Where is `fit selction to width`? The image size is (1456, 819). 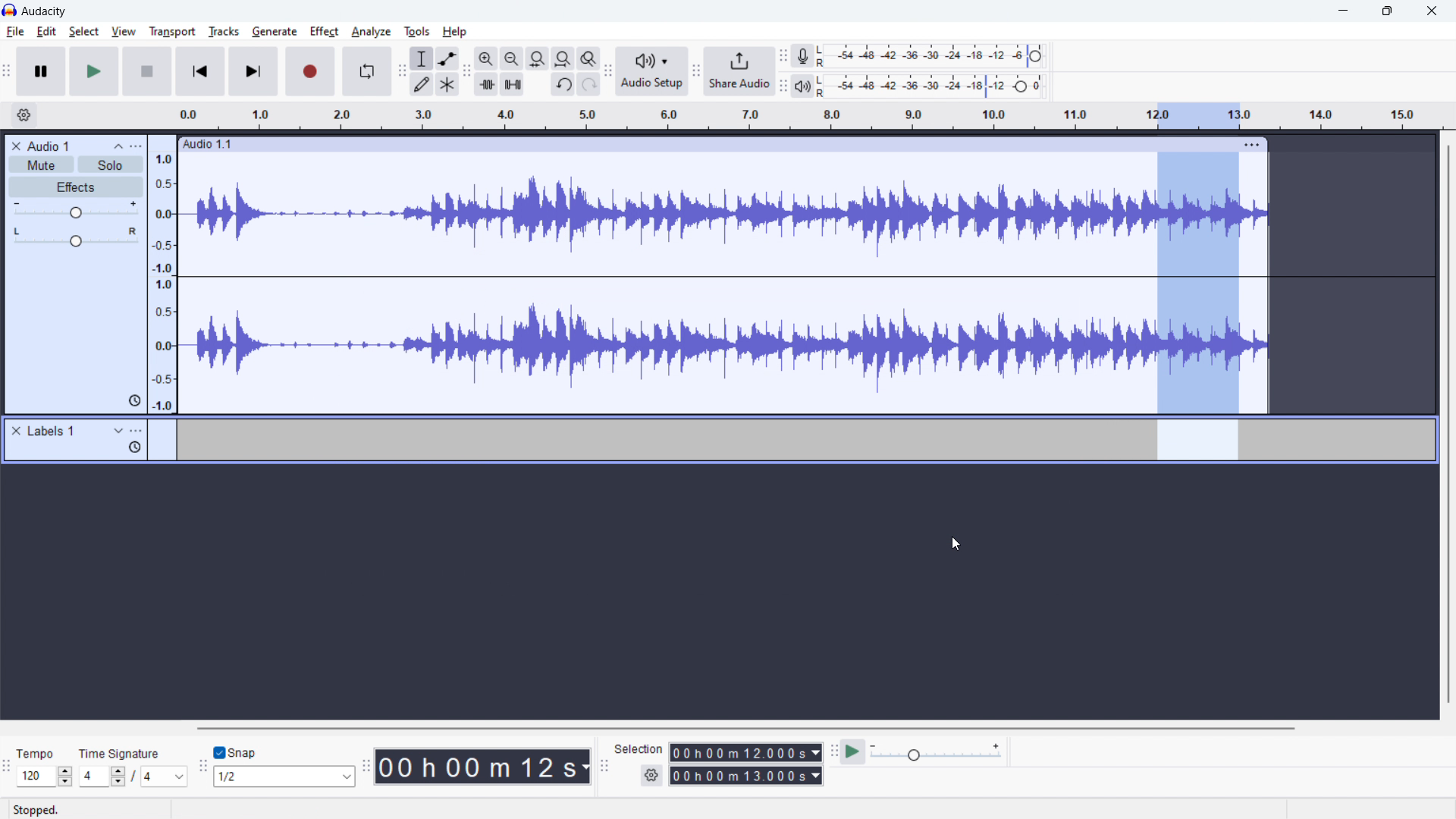 fit selction to width is located at coordinates (538, 59).